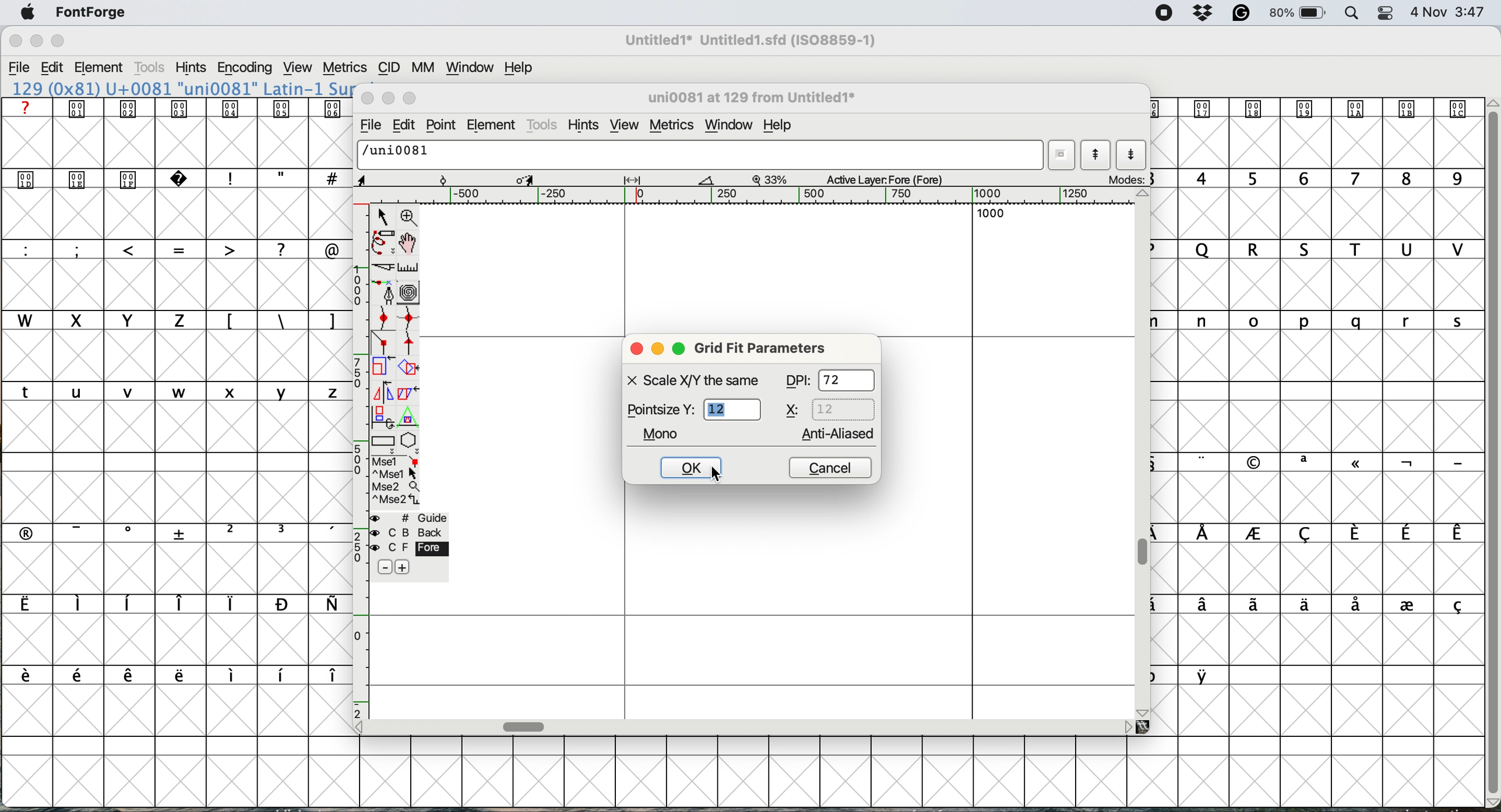  Describe the element at coordinates (470, 69) in the screenshot. I see `Window` at that location.